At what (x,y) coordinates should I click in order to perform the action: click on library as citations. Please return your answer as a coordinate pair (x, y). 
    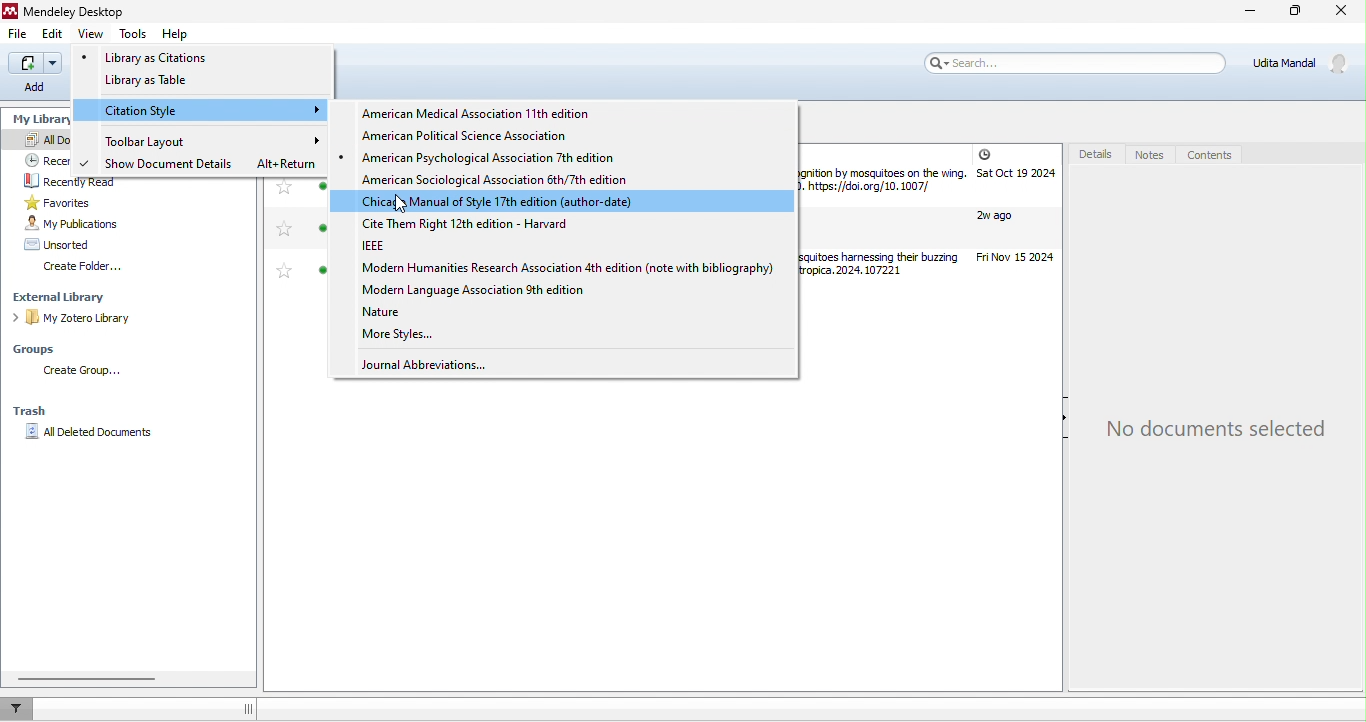
    Looking at the image, I should click on (158, 58).